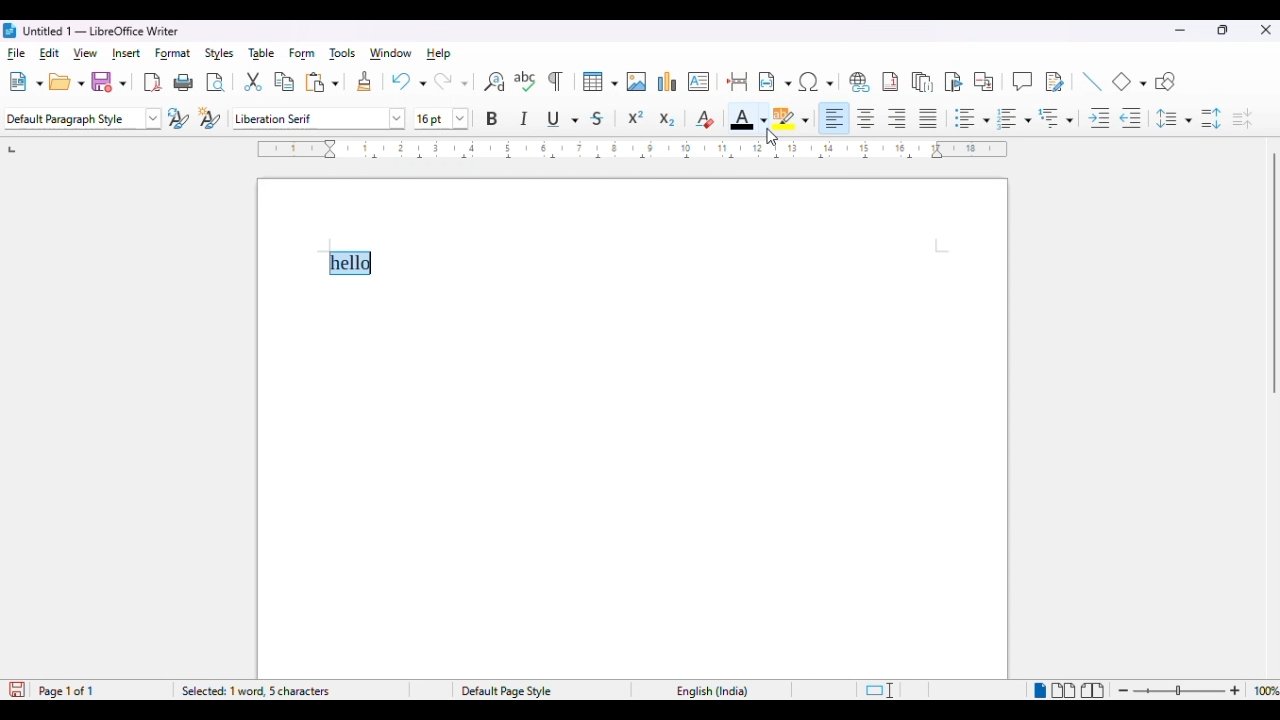 The height and width of the screenshot is (720, 1280). What do you see at coordinates (555, 81) in the screenshot?
I see `toggle formatting marks` at bounding box center [555, 81].